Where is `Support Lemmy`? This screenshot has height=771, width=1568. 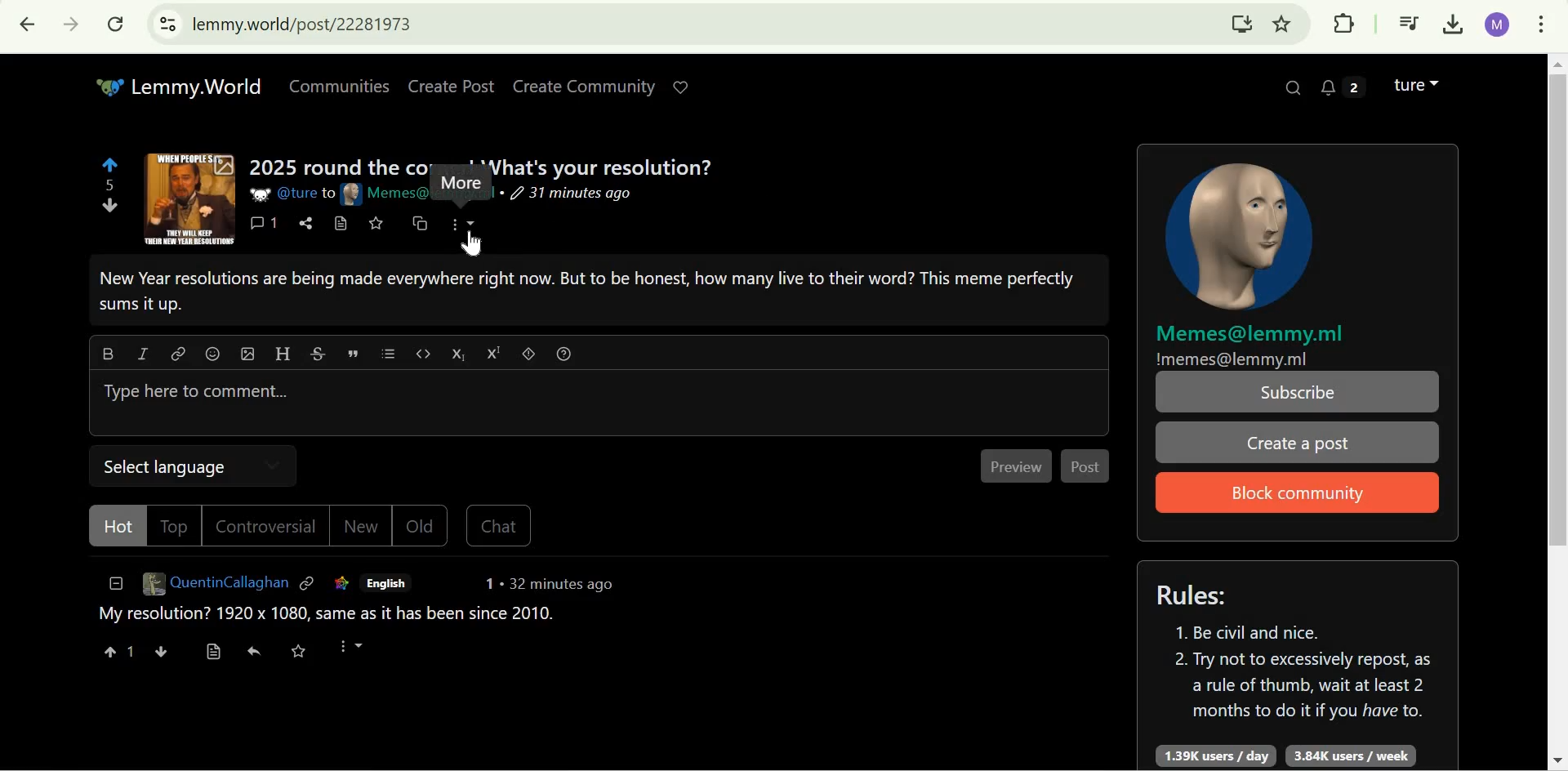 Support Lemmy is located at coordinates (683, 87).